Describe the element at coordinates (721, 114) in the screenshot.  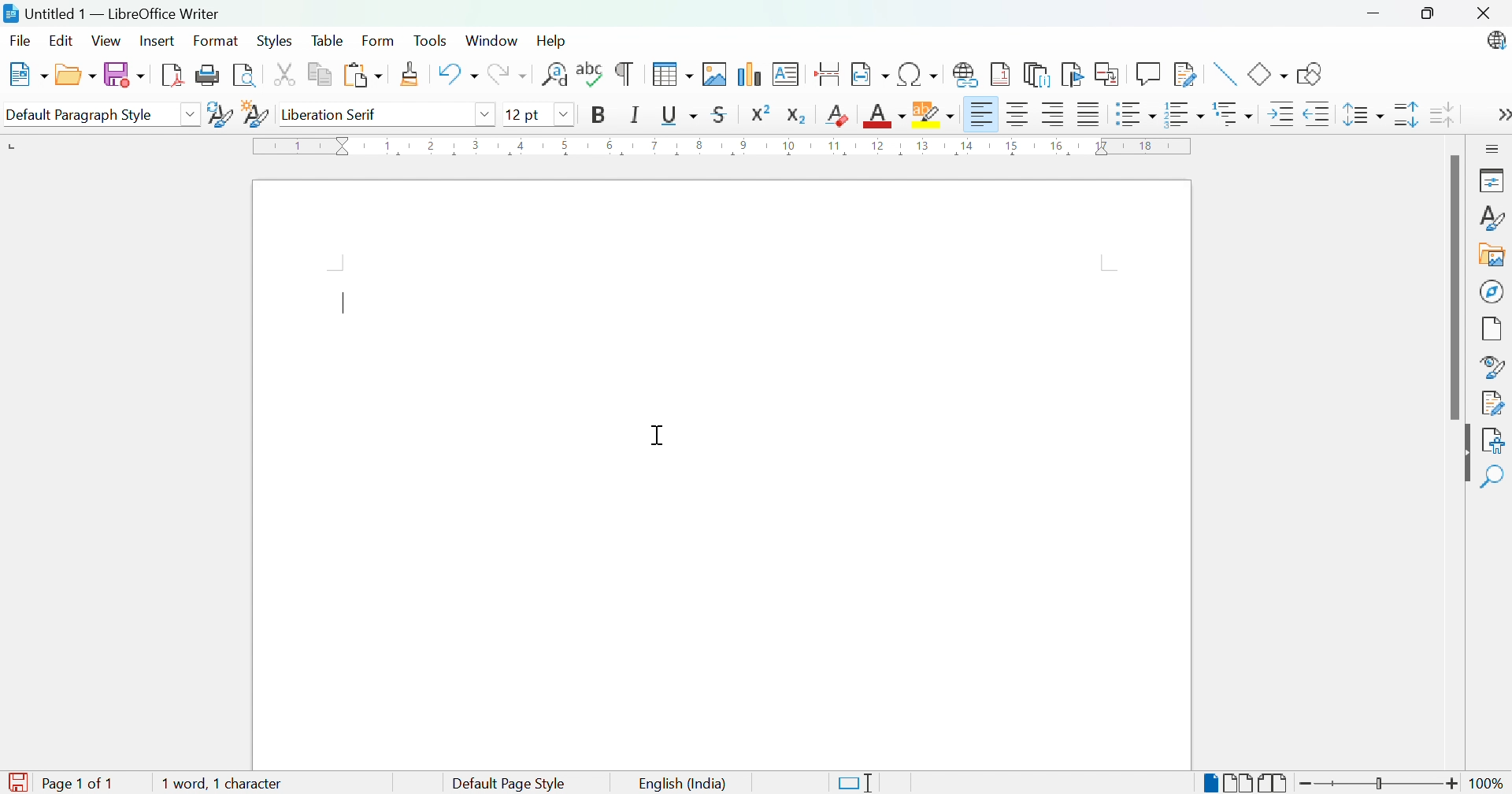
I see `Strikethrough` at that location.